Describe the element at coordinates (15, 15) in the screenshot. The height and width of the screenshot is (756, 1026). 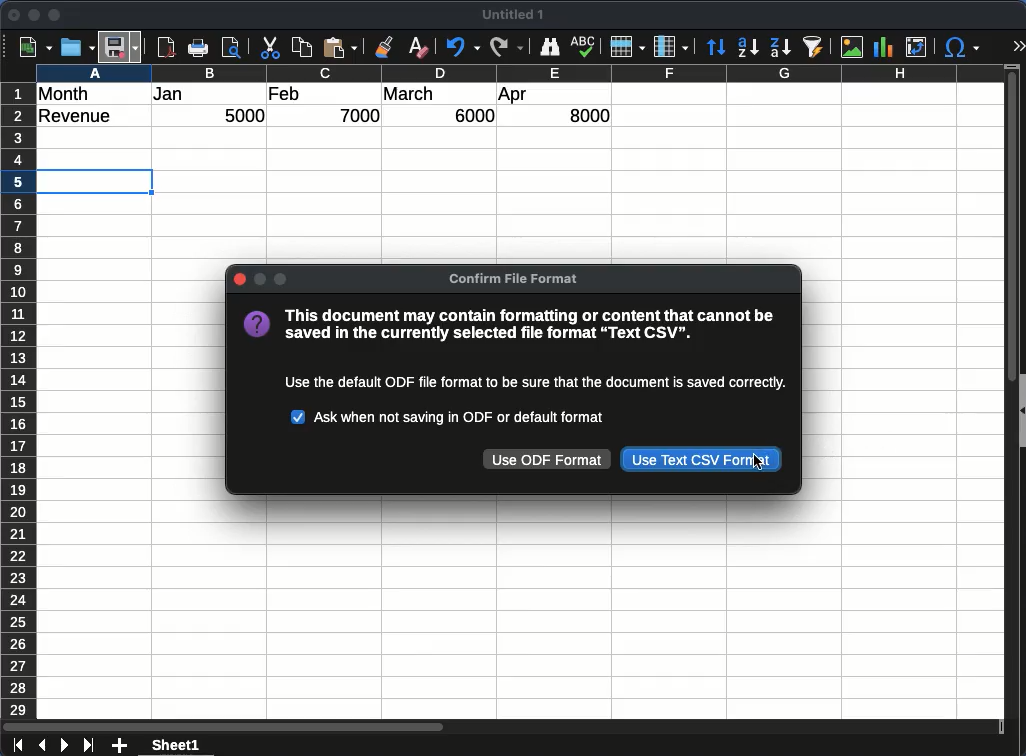
I see `close` at that location.